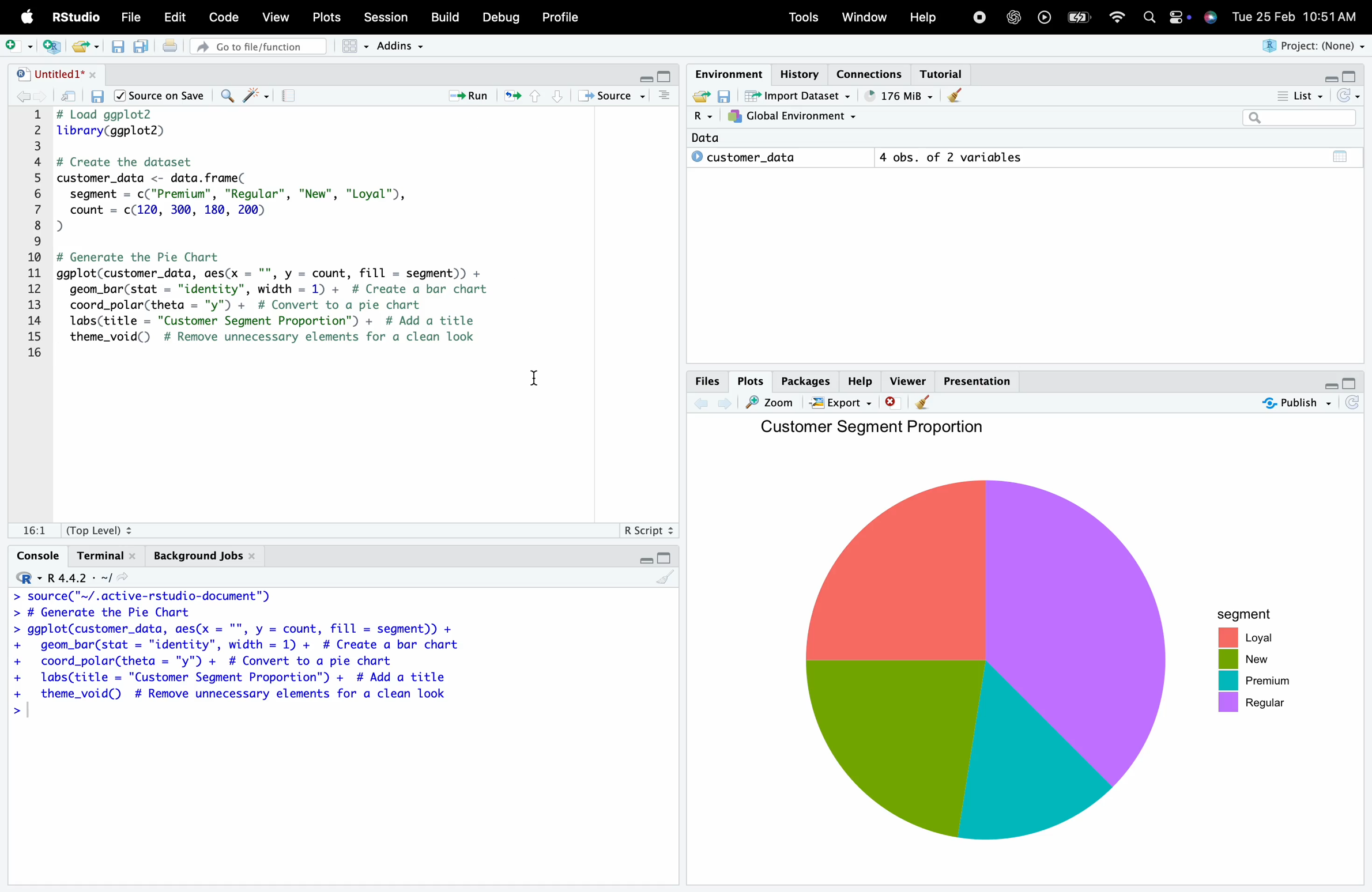 This screenshot has width=1372, height=892. Describe the element at coordinates (99, 99) in the screenshot. I see `save script` at that location.